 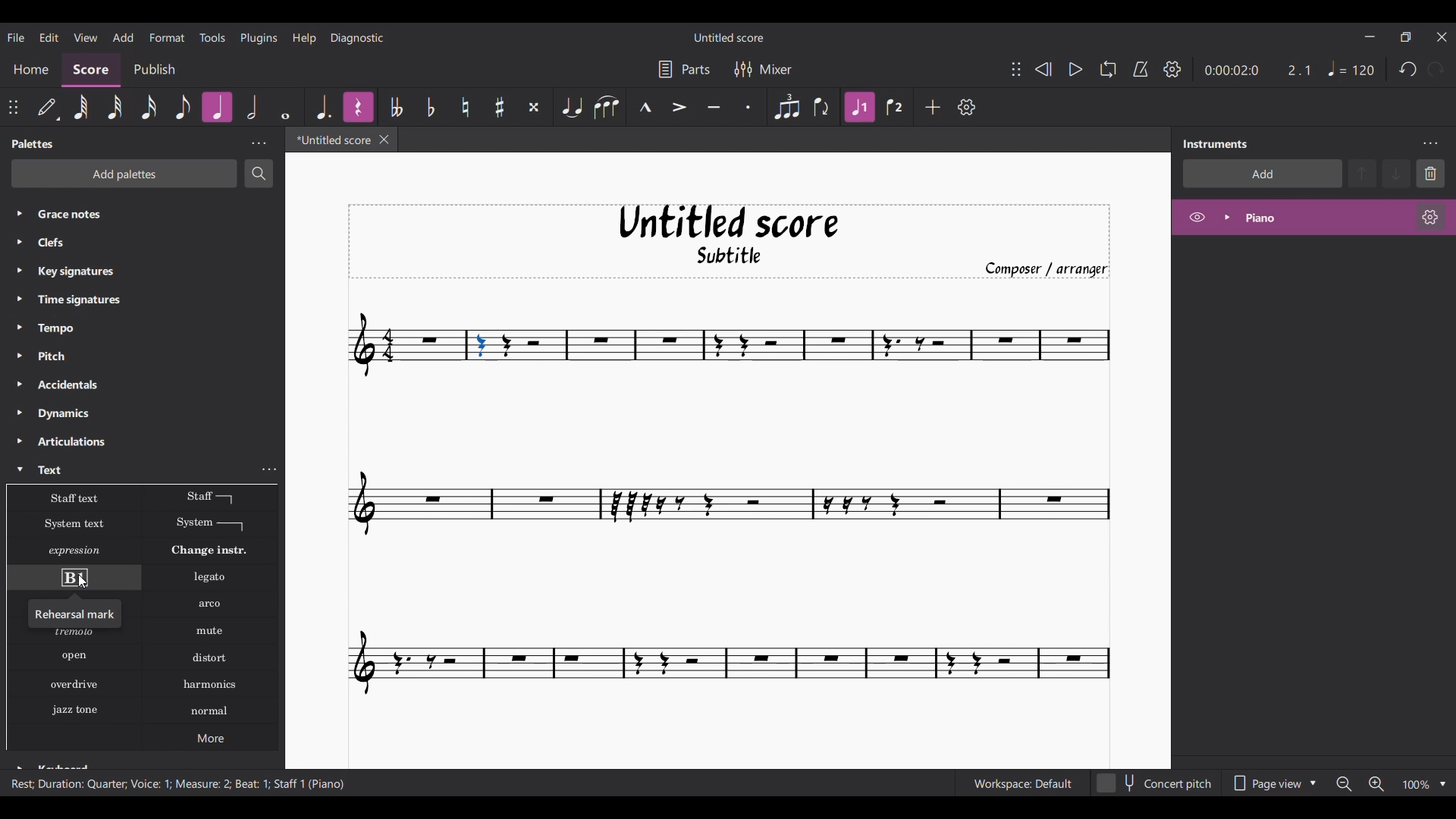 I want to click on Show interface in a smaller tab, so click(x=1406, y=37).